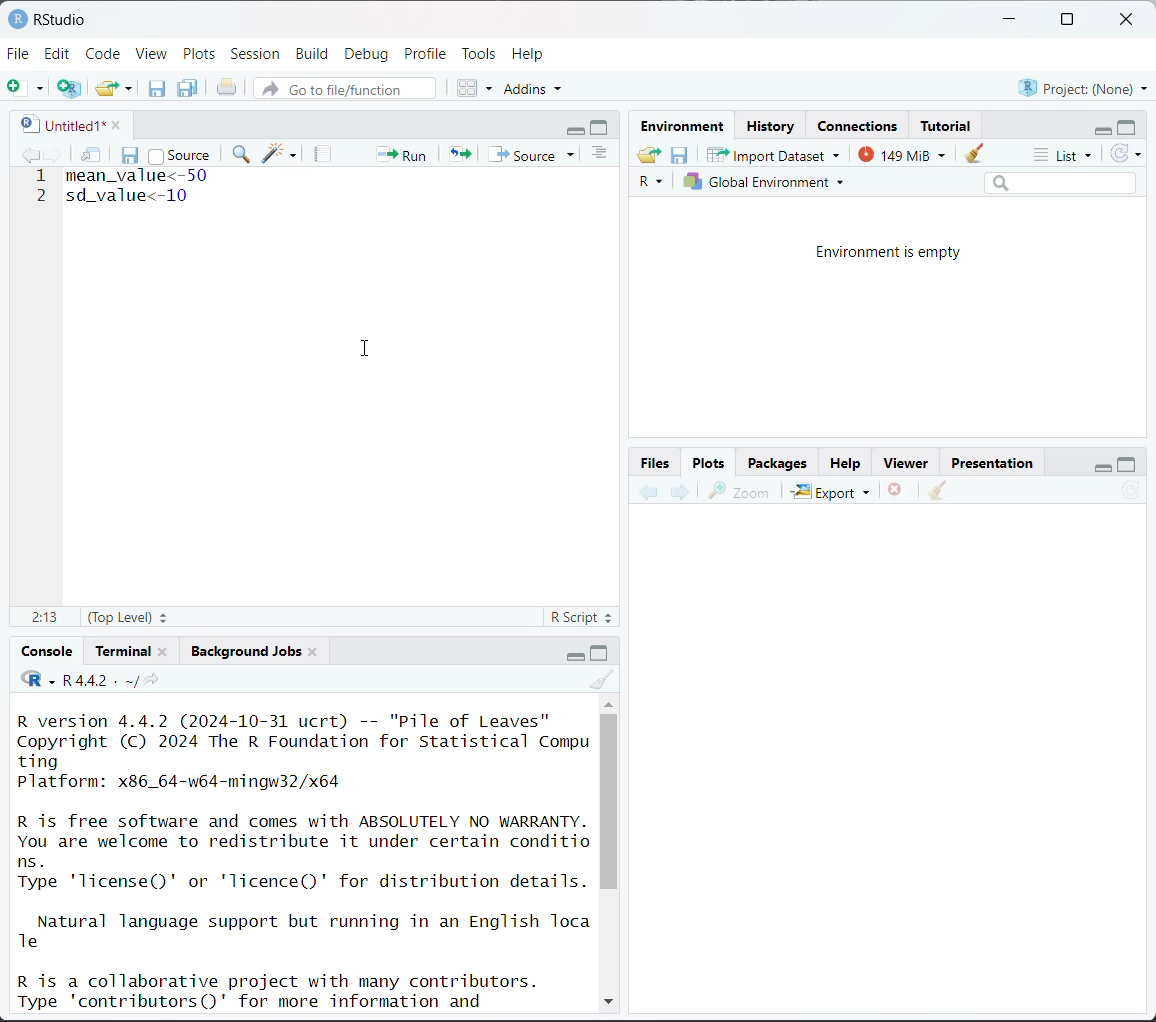 This screenshot has width=1156, height=1022. I want to click on search, so click(1060, 182).